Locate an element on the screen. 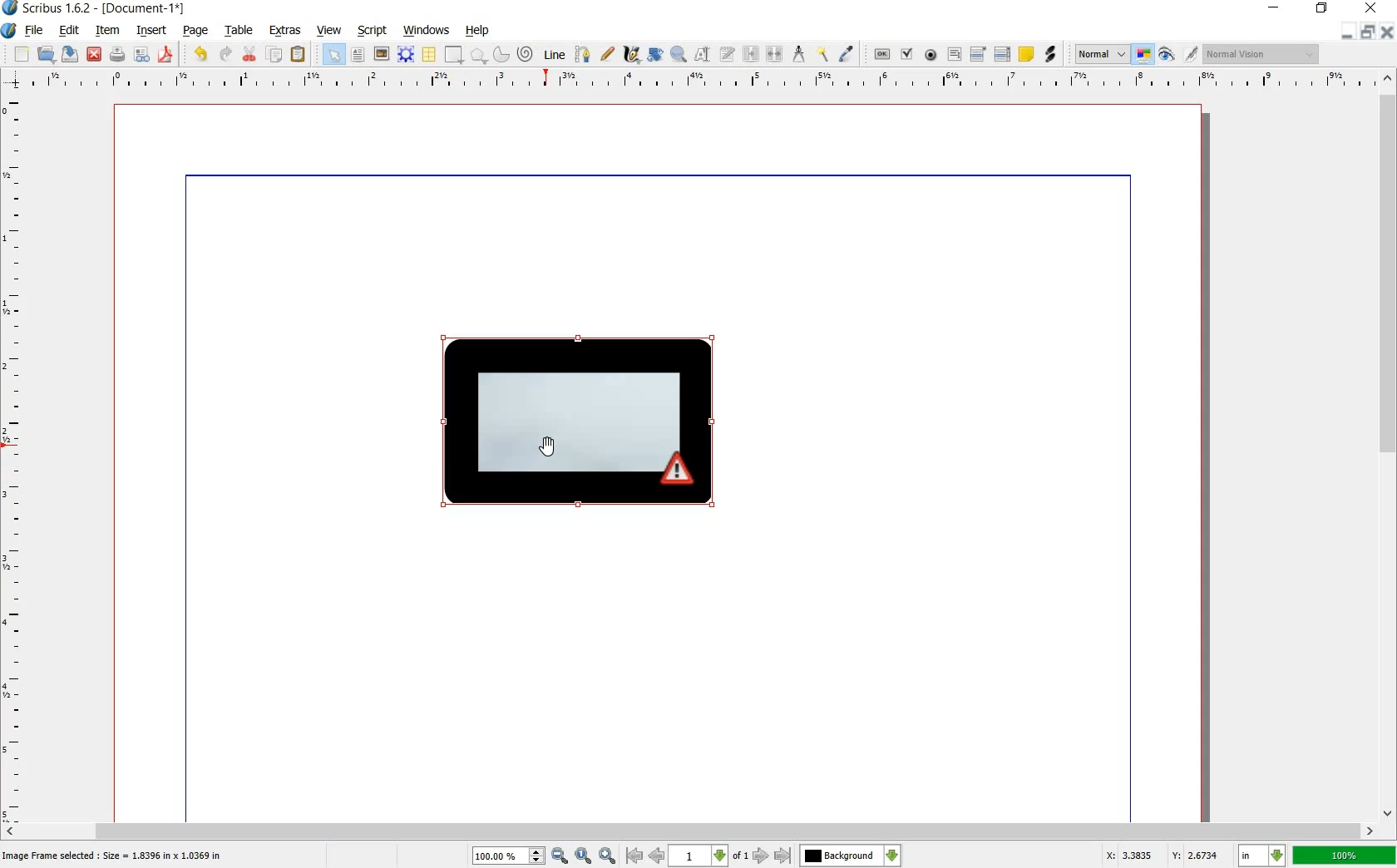 The height and width of the screenshot is (868, 1397). edit text with story editor is located at coordinates (728, 54).